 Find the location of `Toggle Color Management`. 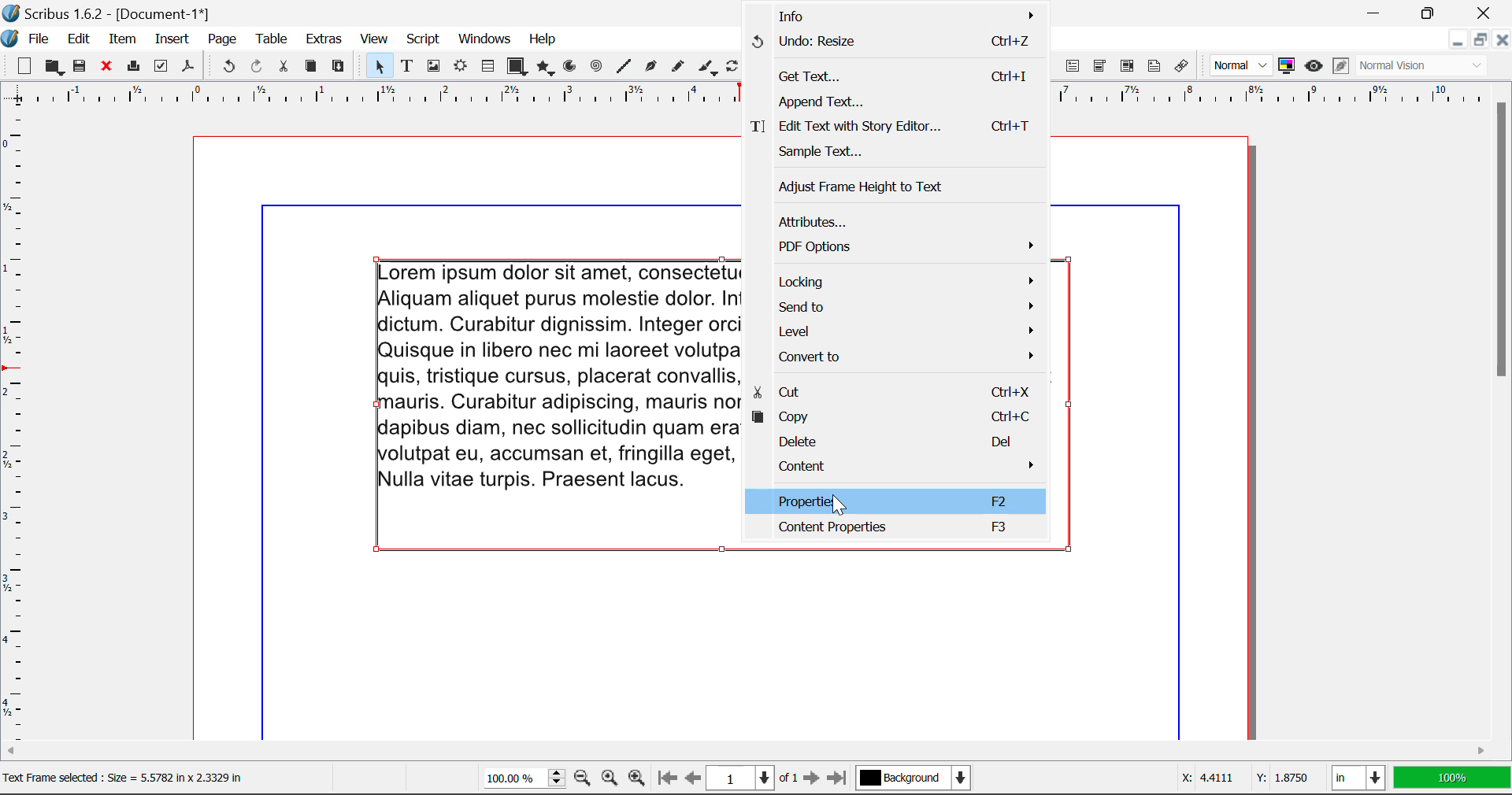

Toggle Color Management is located at coordinates (1287, 66).